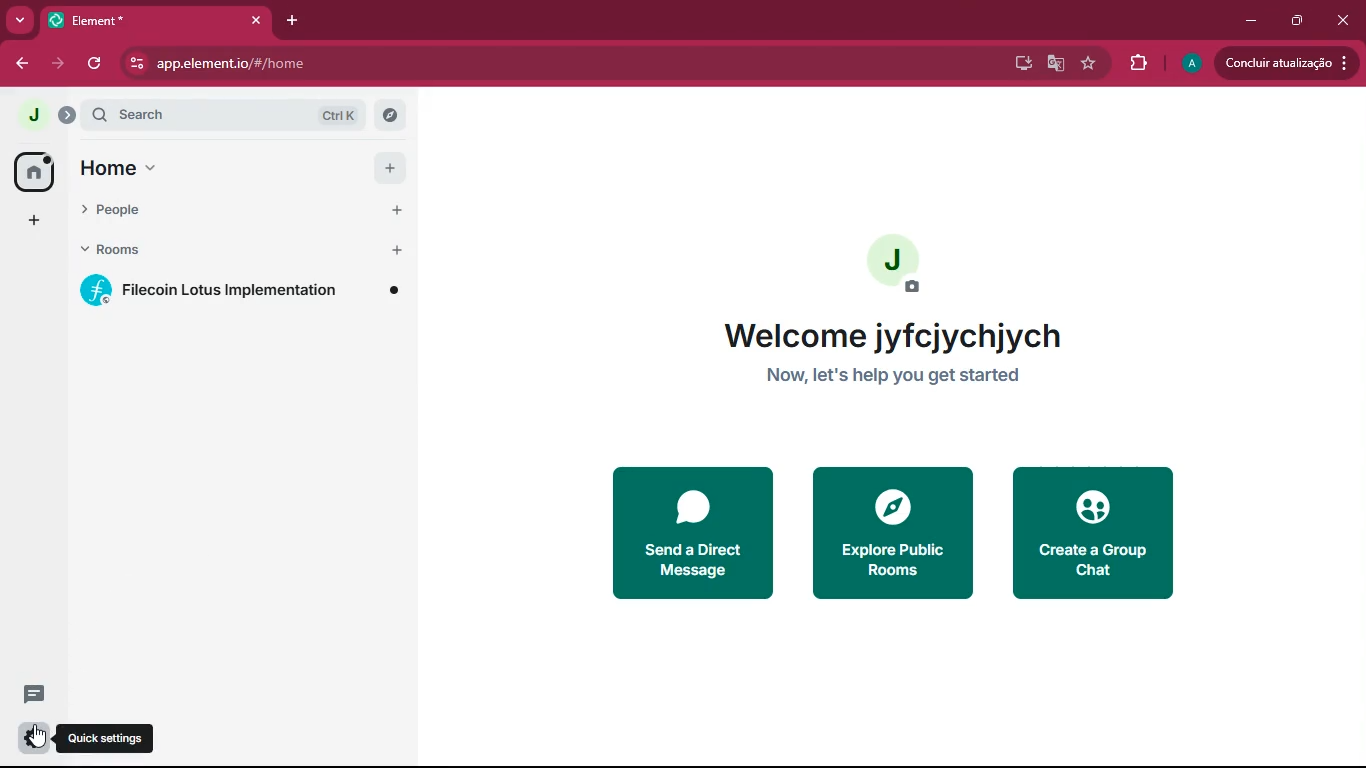 The height and width of the screenshot is (768, 1366). Describe the element at coordinates (1054, 63) in the screenshot. I see `google translate` at that location.